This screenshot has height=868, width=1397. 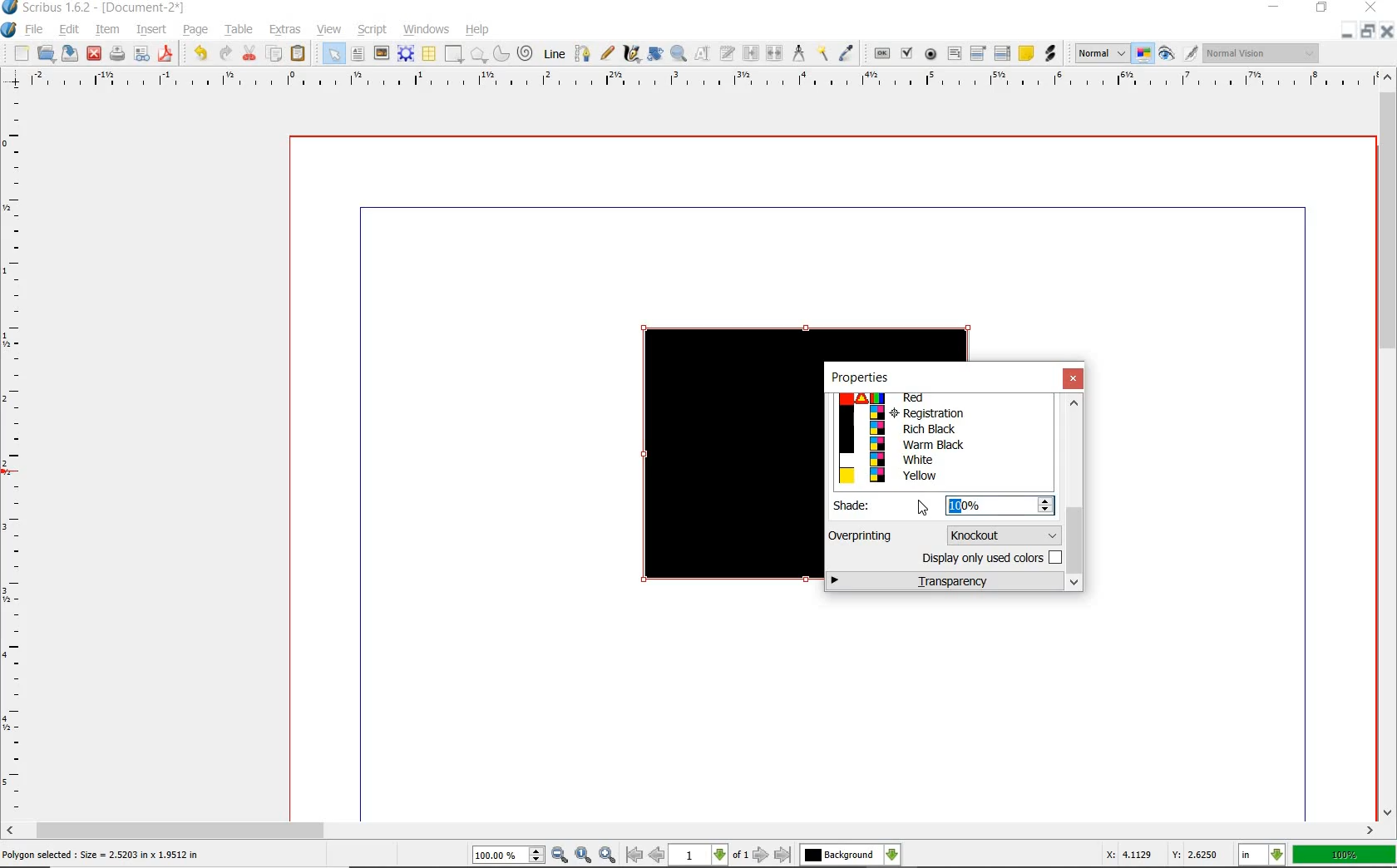 What do you see at coordinates (1143, 55) in the screenshot?
I see `toggle management system` at bounding box center [1143, 55].